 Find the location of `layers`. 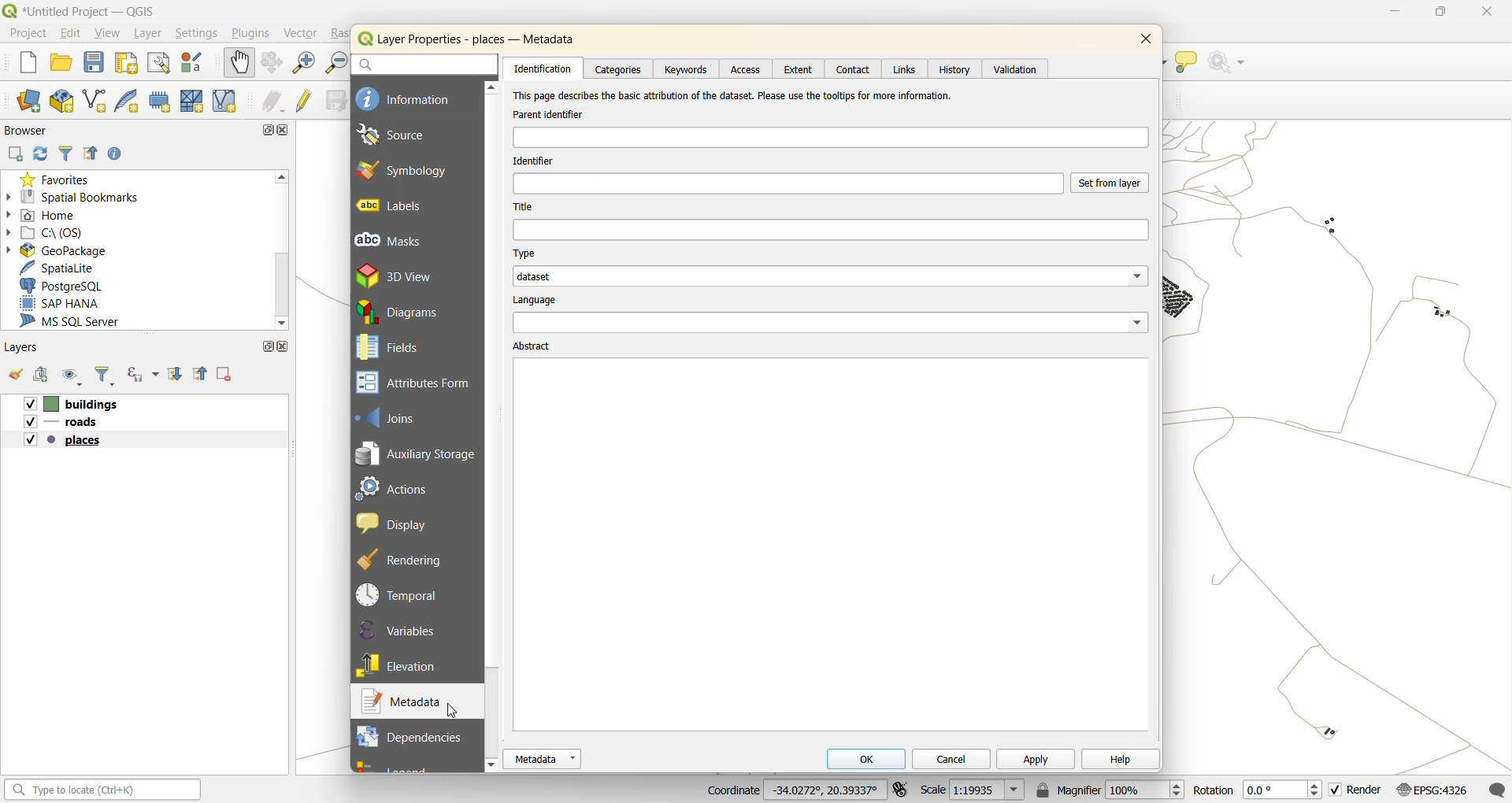

layers is located at coordinates (28, 346).